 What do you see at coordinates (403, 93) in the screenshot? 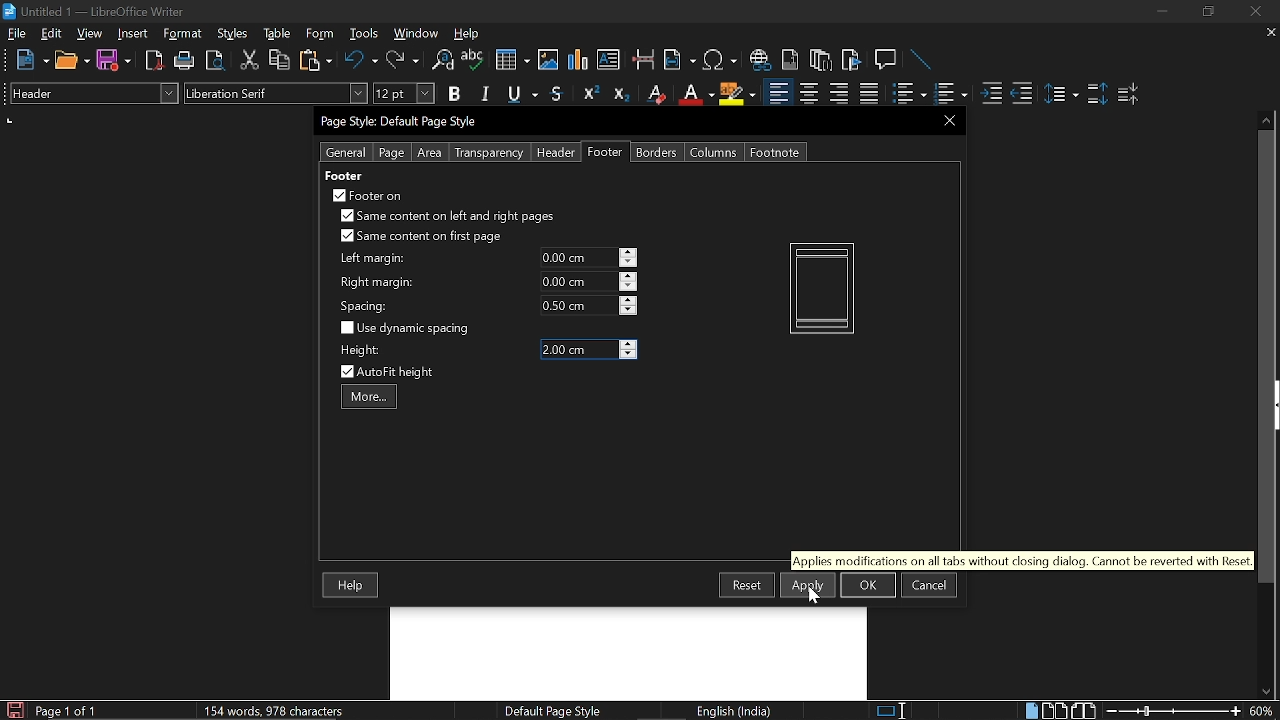
I see `Text size` at bounding box center [403, 93].